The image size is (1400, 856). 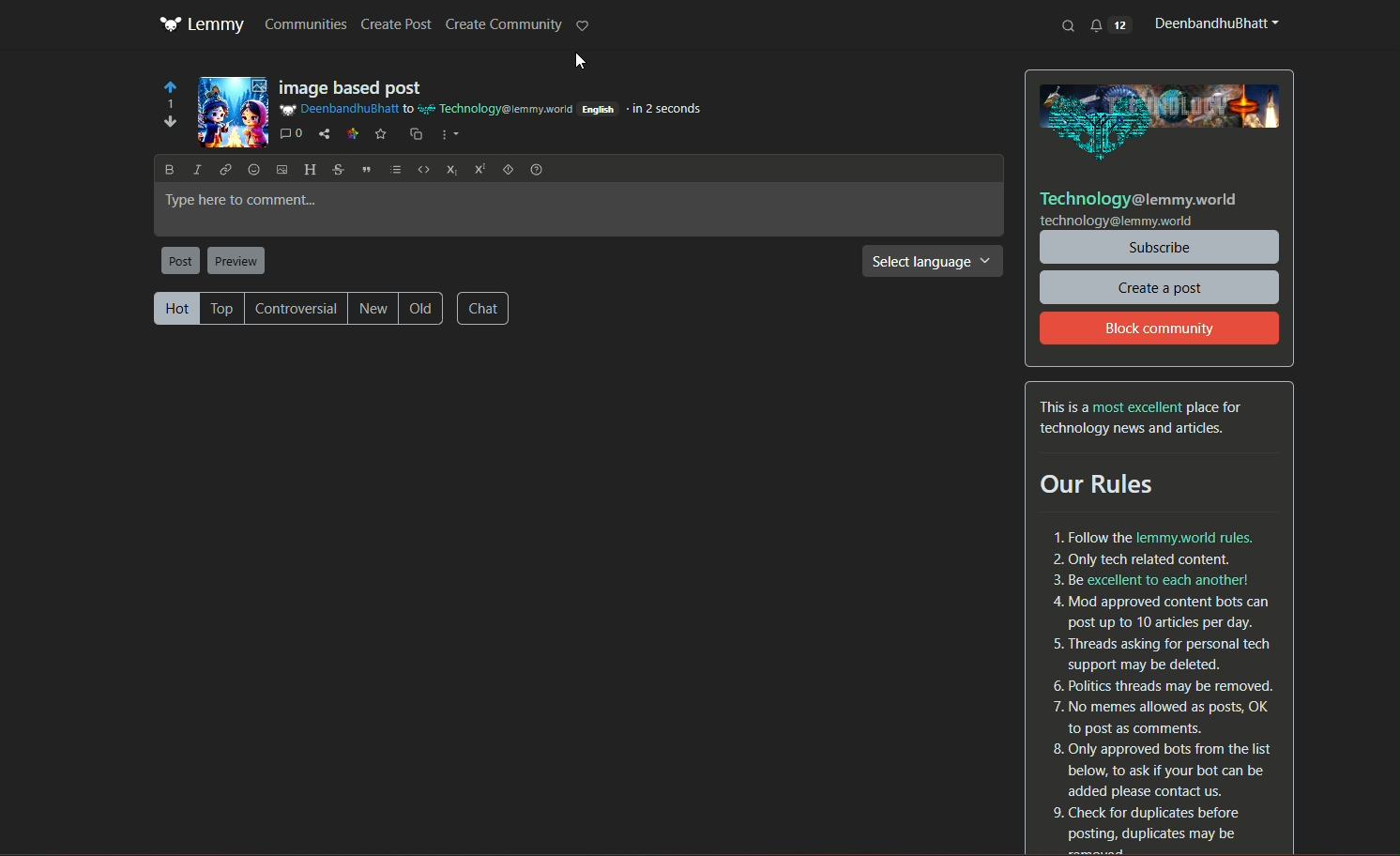 What do you see at coordinates (202, 25) in the screenshot?
I see `Logo and title` at bounding box center [202, 25].